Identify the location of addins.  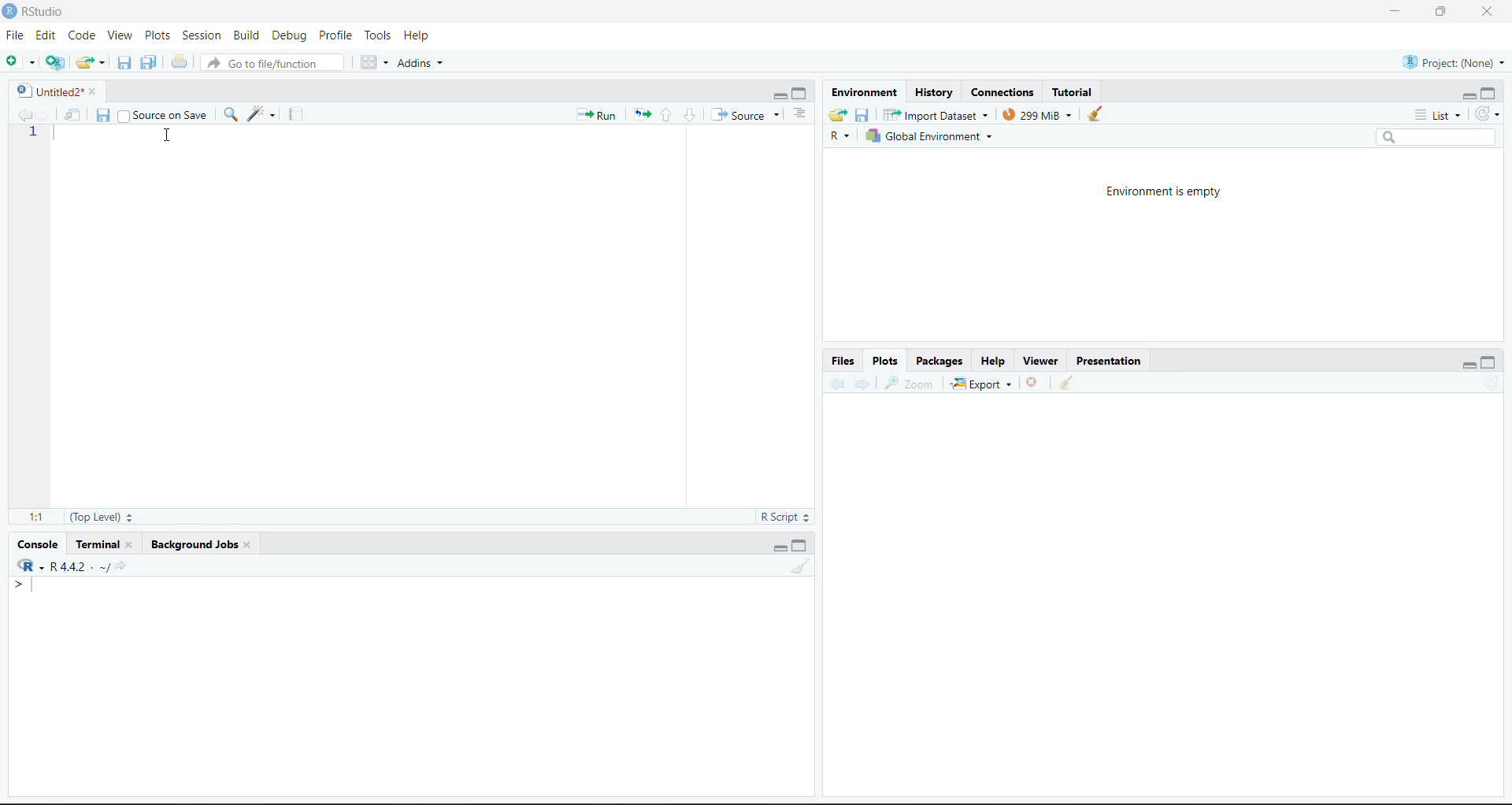
(424, 61).